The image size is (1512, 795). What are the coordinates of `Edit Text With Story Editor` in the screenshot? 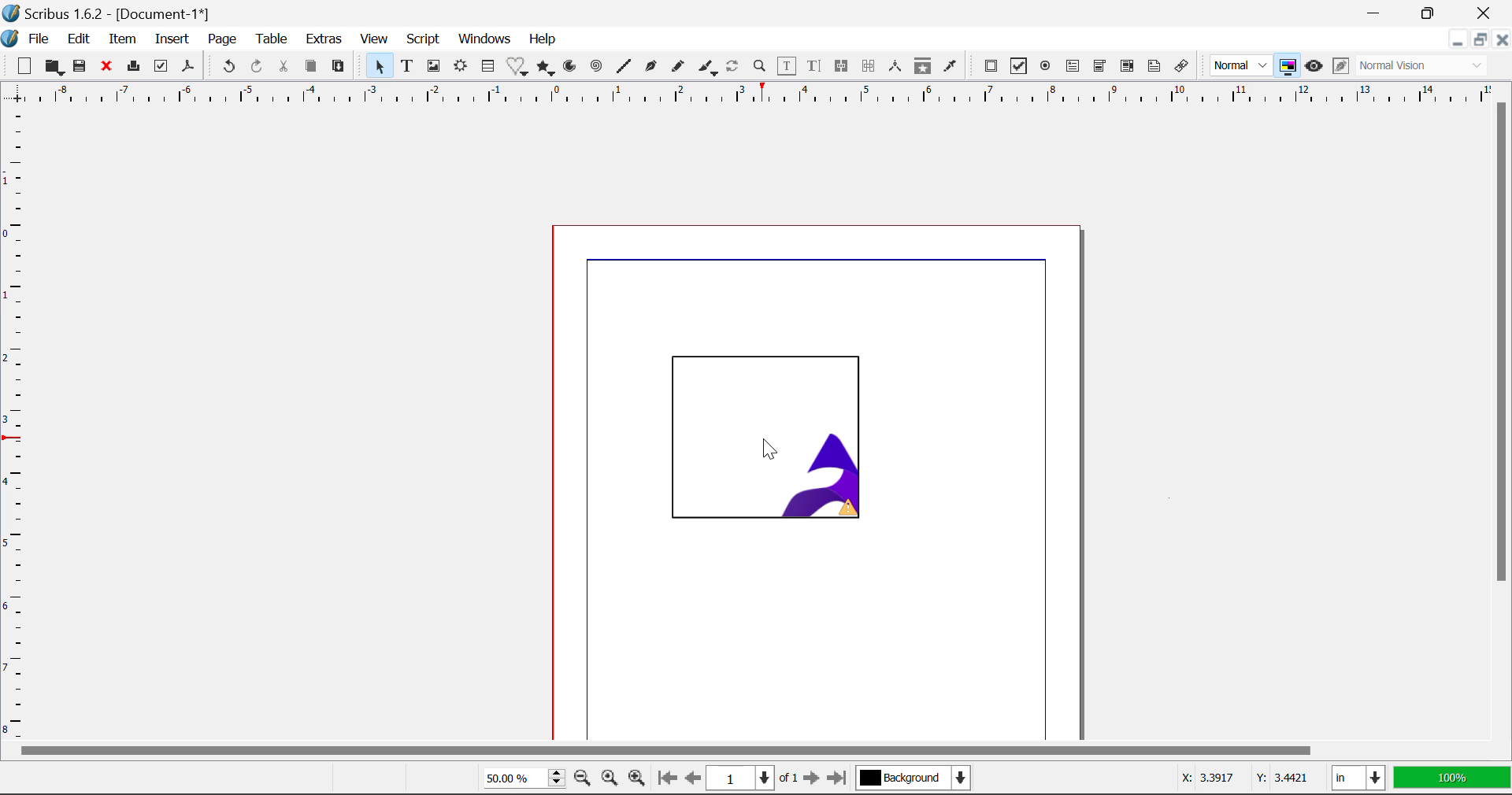 It's located at (816, 67).